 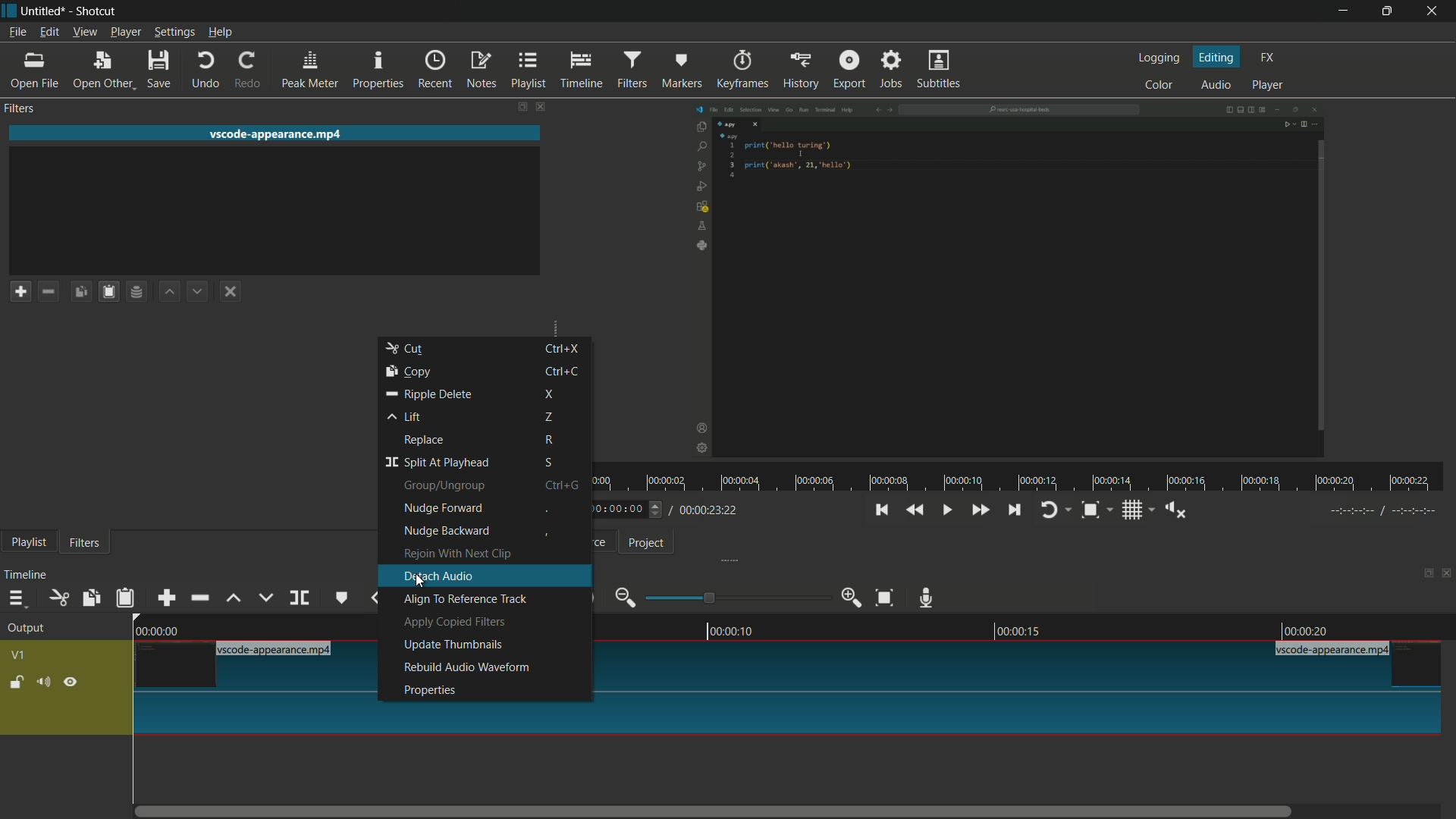 What do you see at coordinates (1090, 510) in the screenshot?
I see `toggle zoom` at bounding box center [1090, 510].